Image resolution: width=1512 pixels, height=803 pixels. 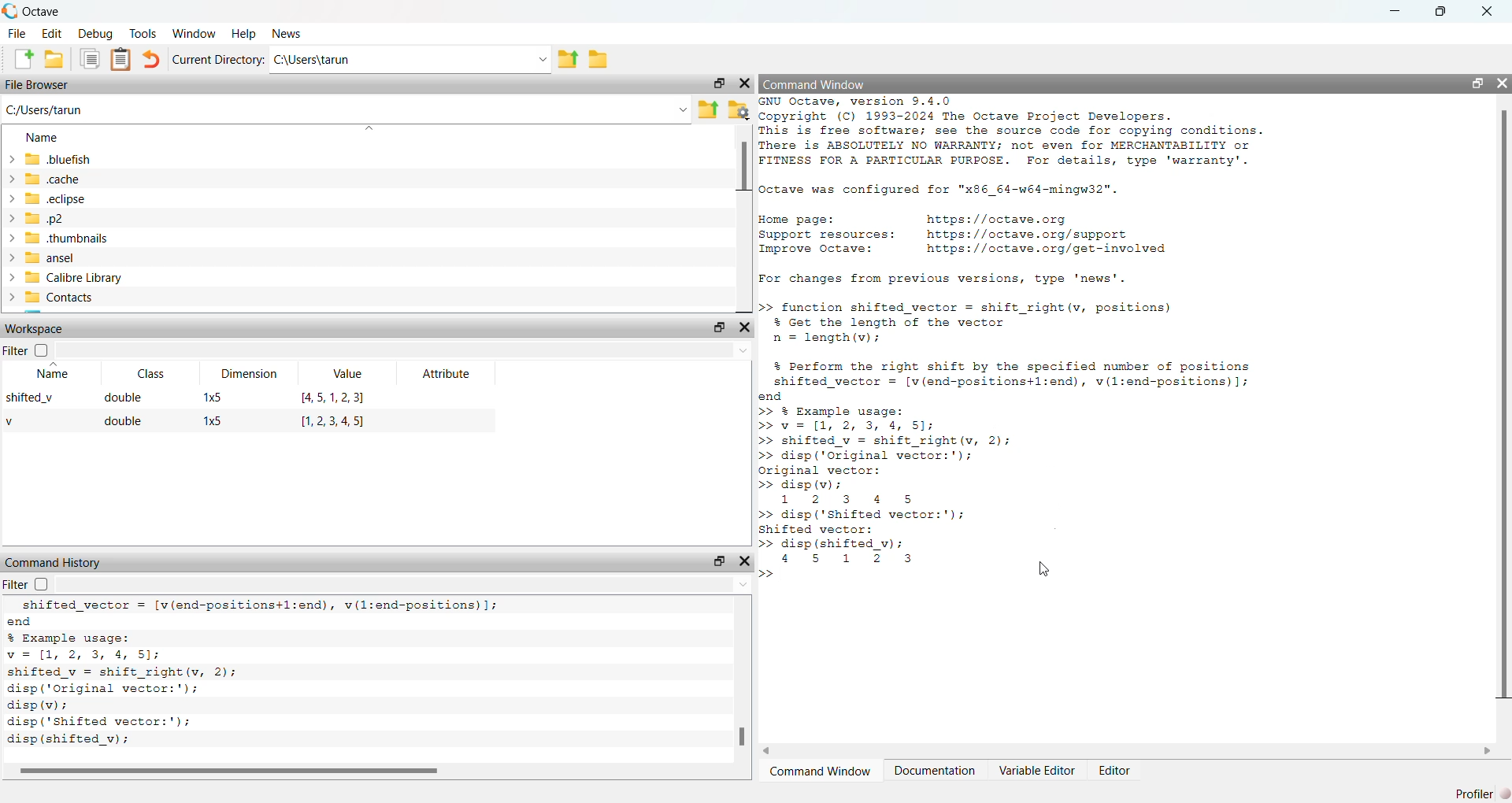 I want to click on ansel, so click(x=61, y=257).